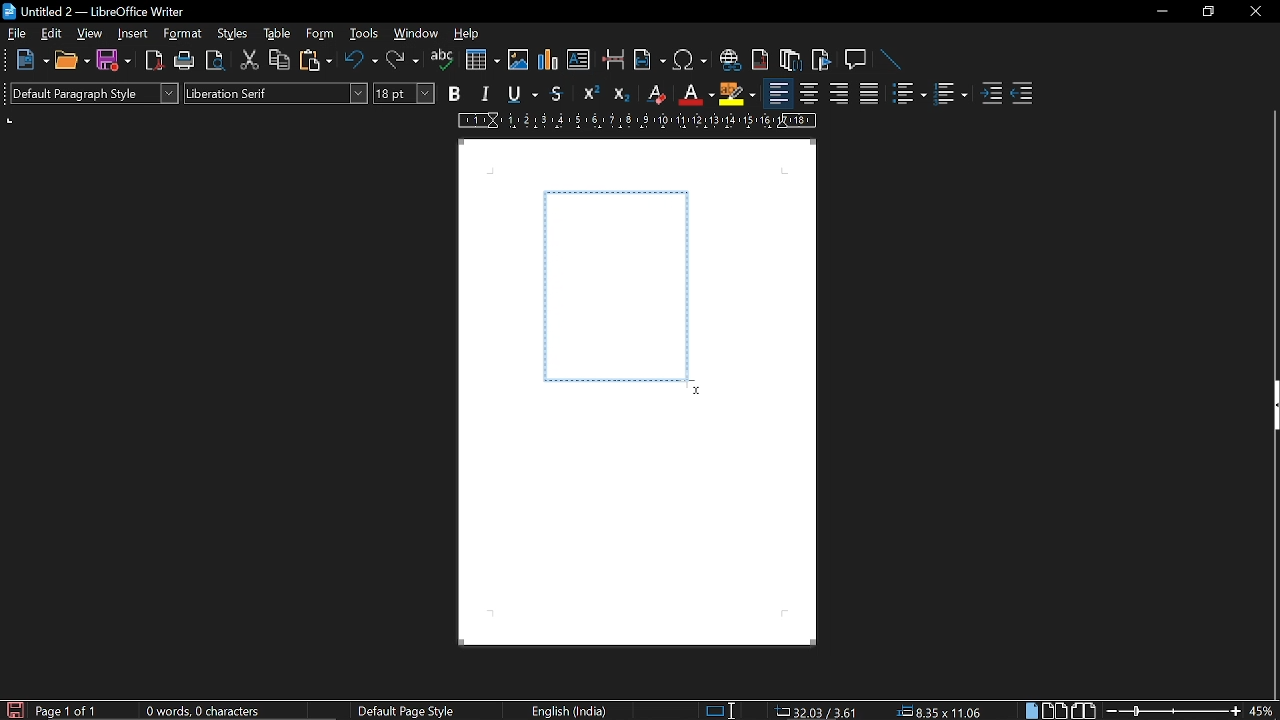 This screenshot has height=720, width=1280. What do you see at coordinates (1272, 408) in the screenshot?
I see `sidebar view` at bounding box center [1272, 408].